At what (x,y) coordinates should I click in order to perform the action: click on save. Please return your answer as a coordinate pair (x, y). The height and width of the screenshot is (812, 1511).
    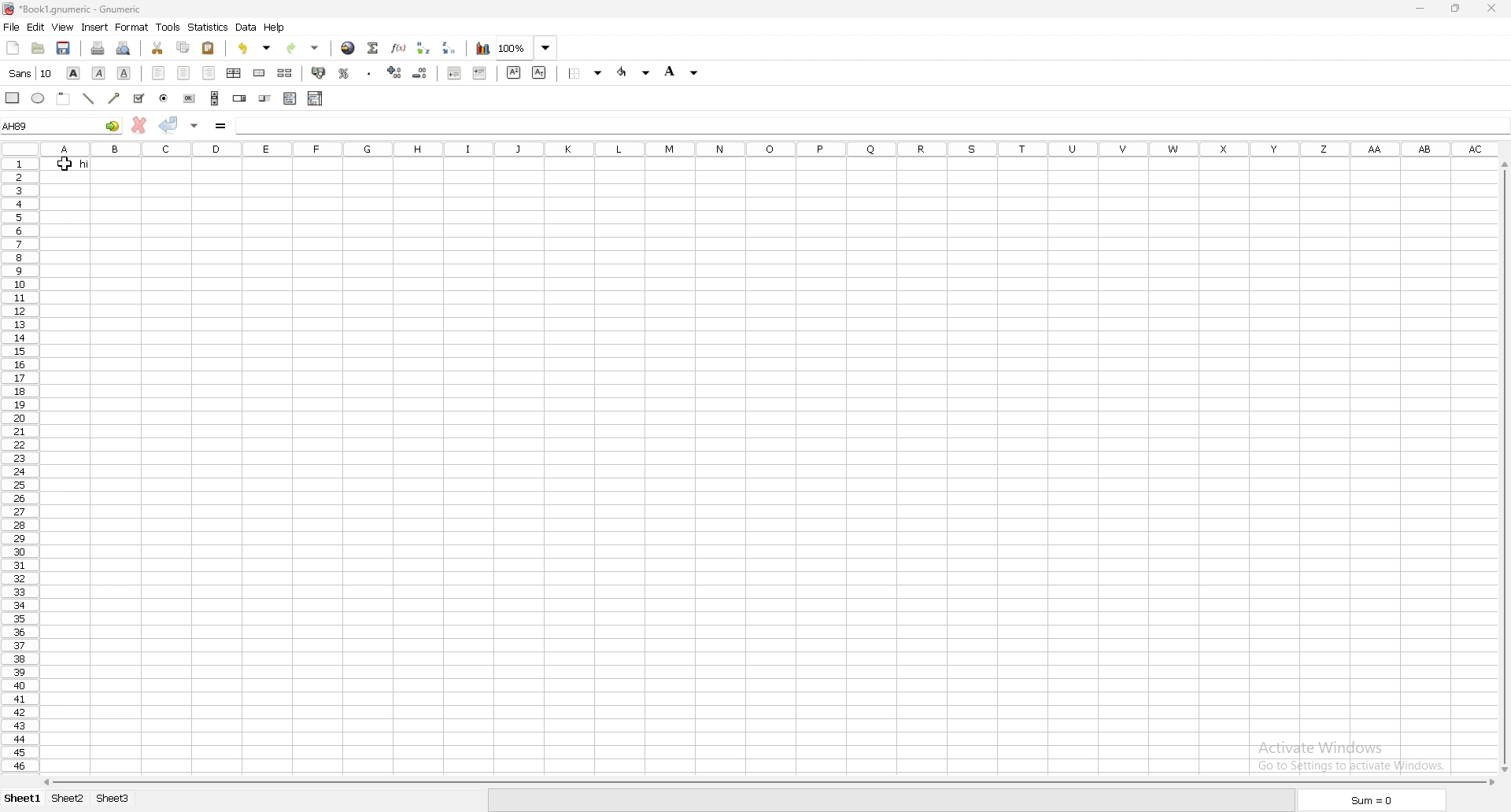
    Looking at the image, I should click on (64, 48).